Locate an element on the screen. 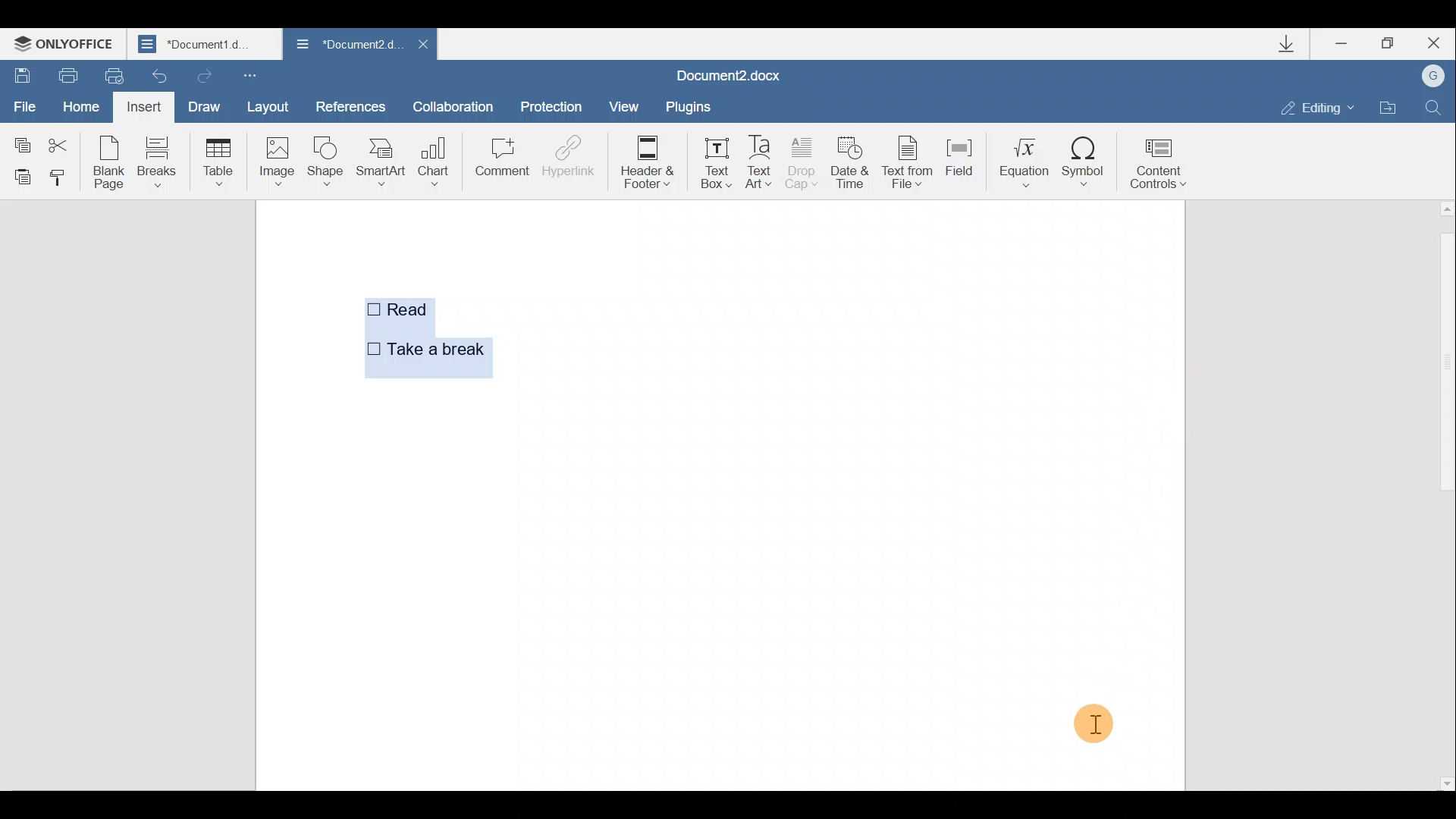  Symbol is located at coordinates (1087, 162).